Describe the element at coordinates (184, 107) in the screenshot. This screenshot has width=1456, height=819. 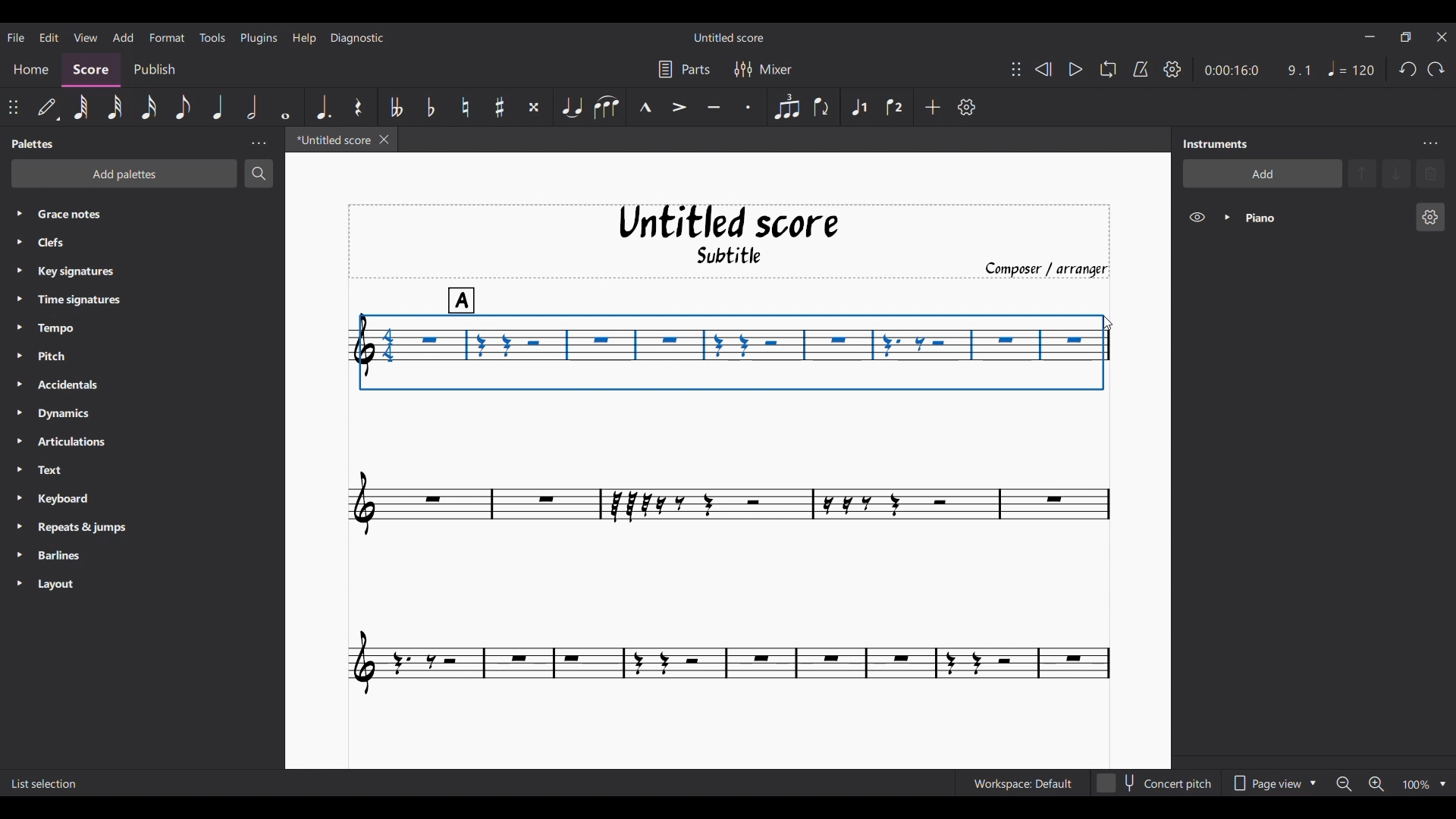
I see `8th note` at that location.